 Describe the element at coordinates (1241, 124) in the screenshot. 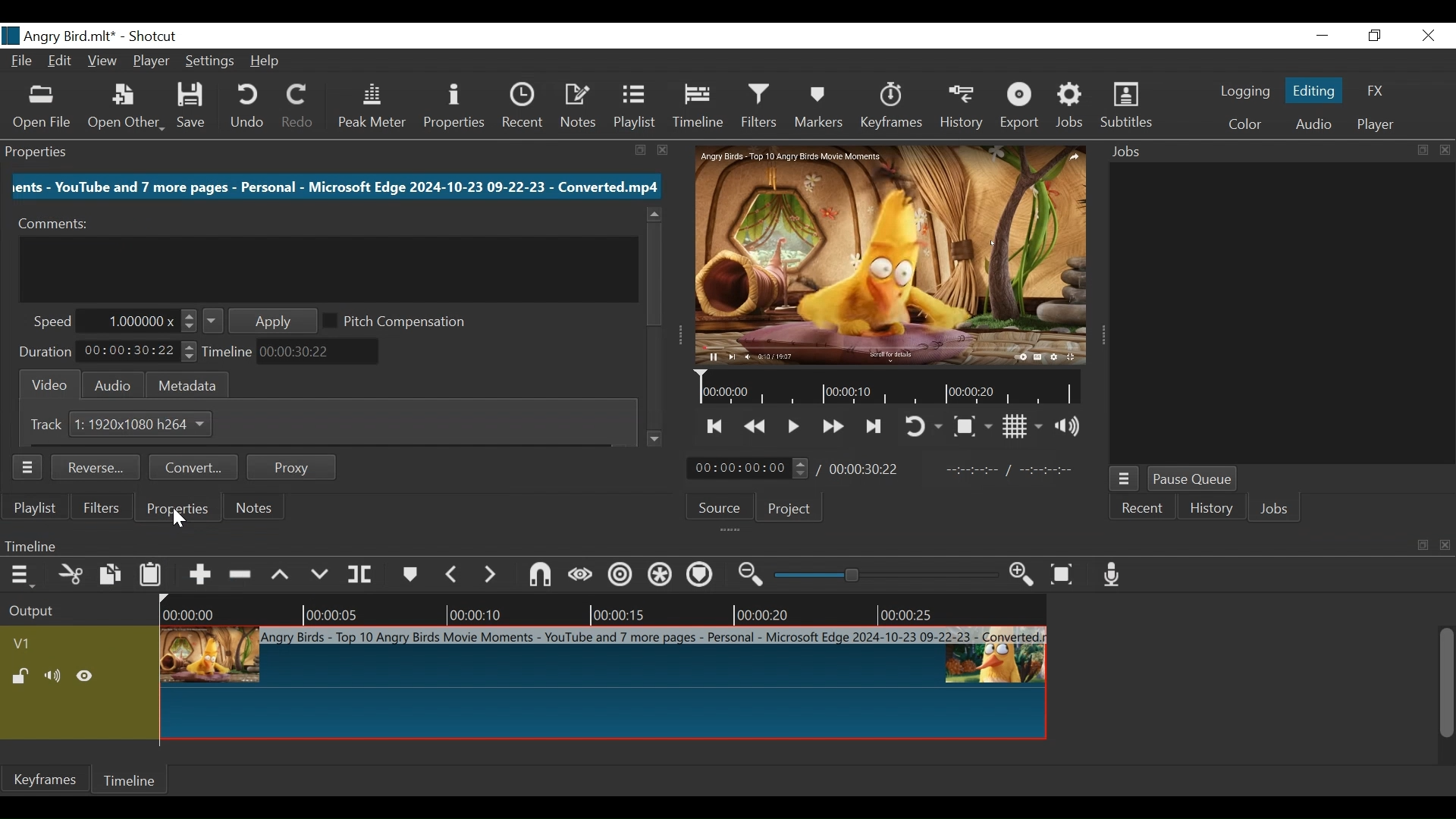

I see `Color` at that location.